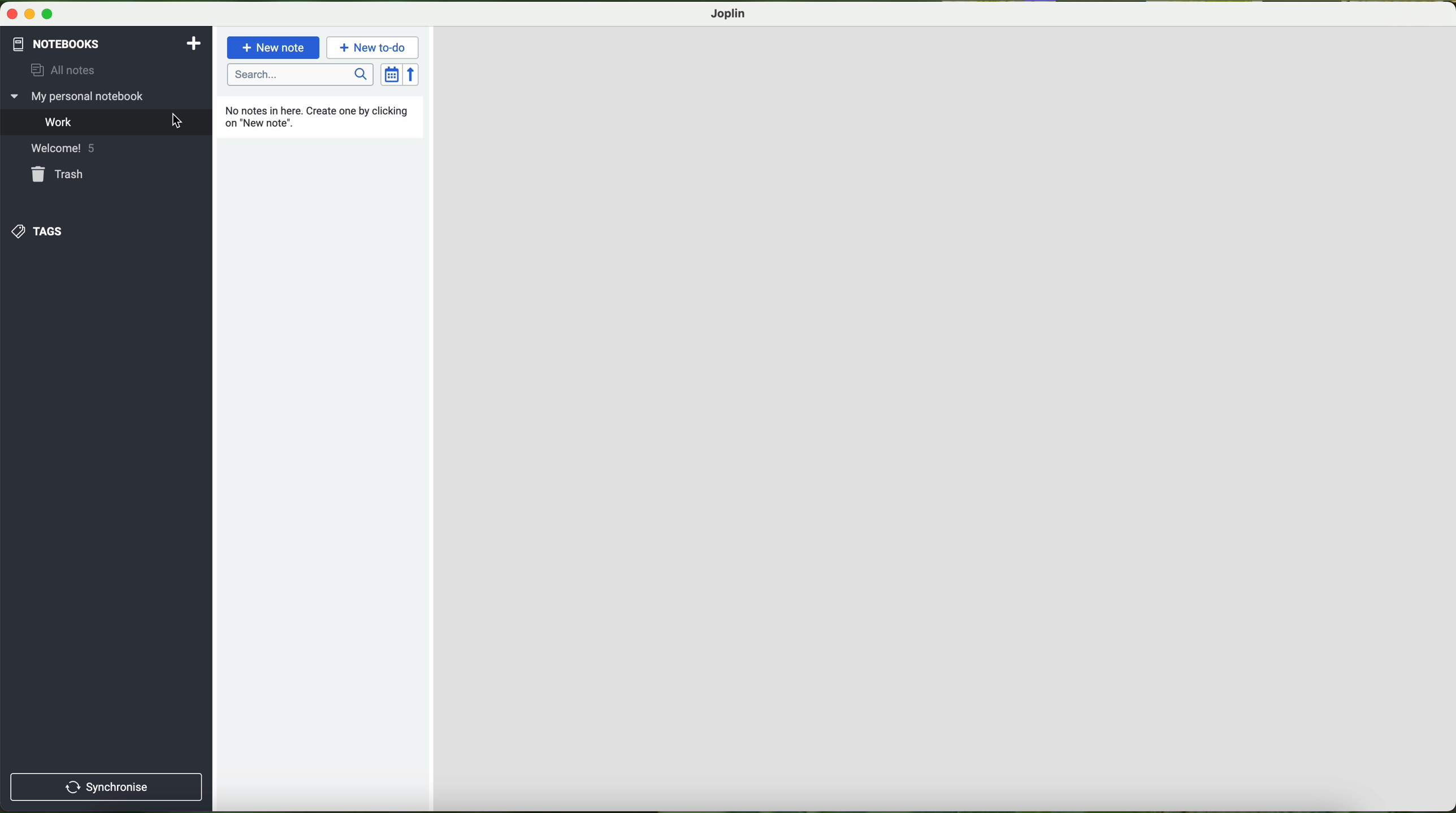 The width and height of the screenshot is (1456, 813). Describe the element at coordinates (374, 47) in the screenshot. I see `new to-do button` at that location.